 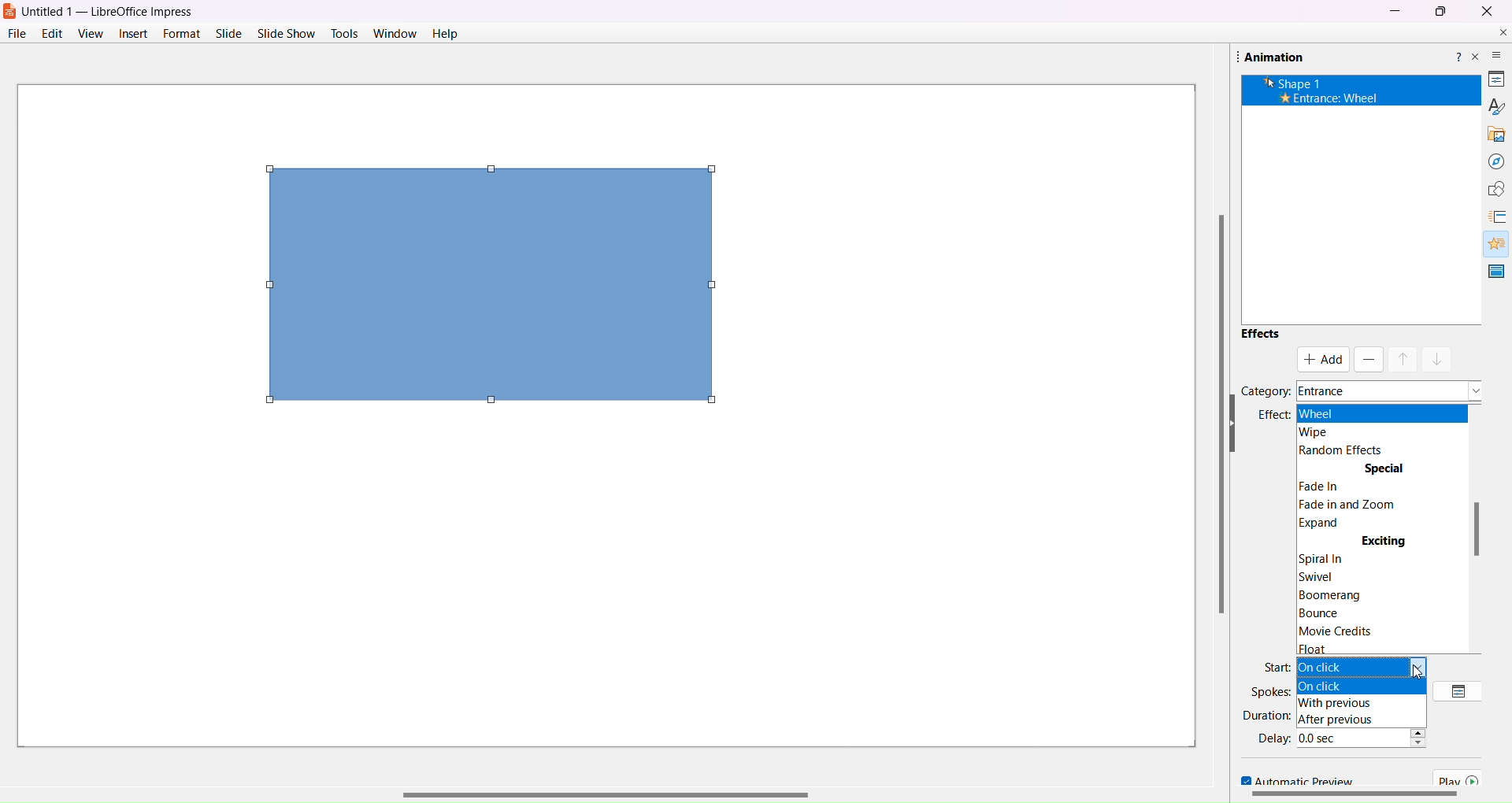 I want to click on Close Pane, so click(x=1476, y=57).